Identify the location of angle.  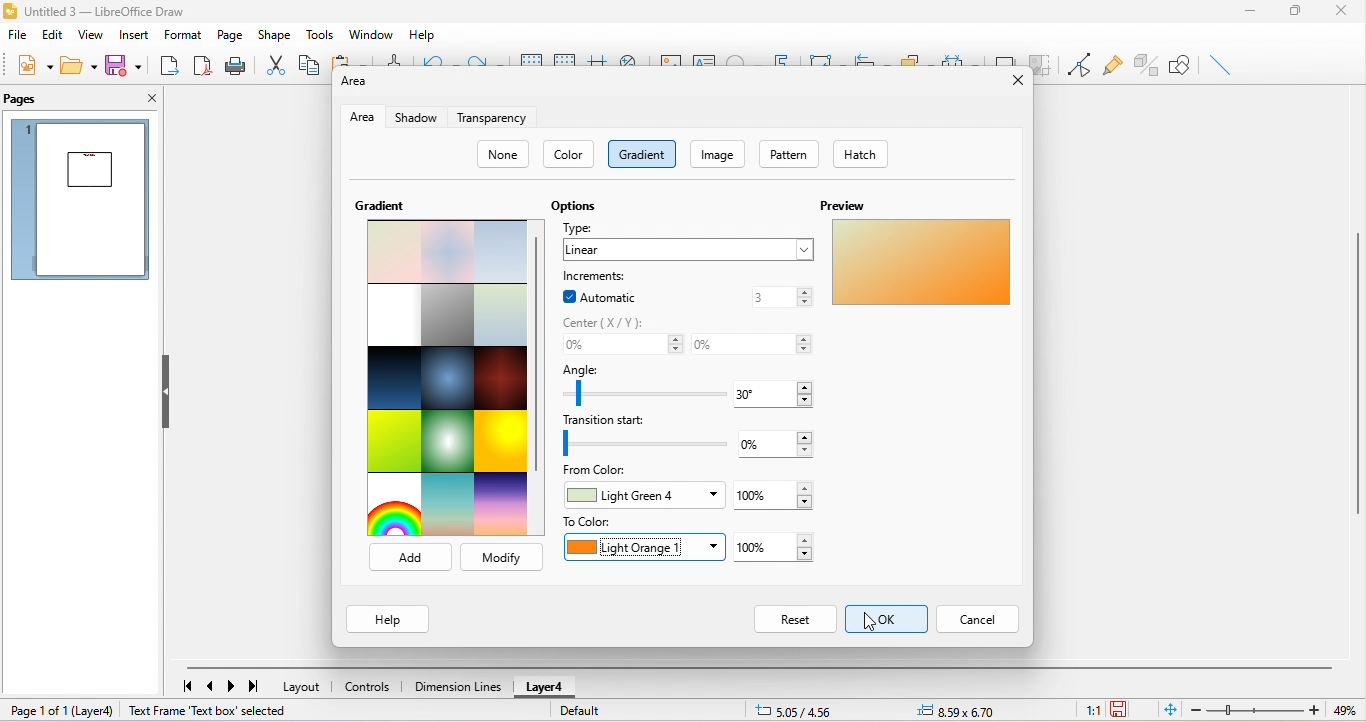
(589, 370).